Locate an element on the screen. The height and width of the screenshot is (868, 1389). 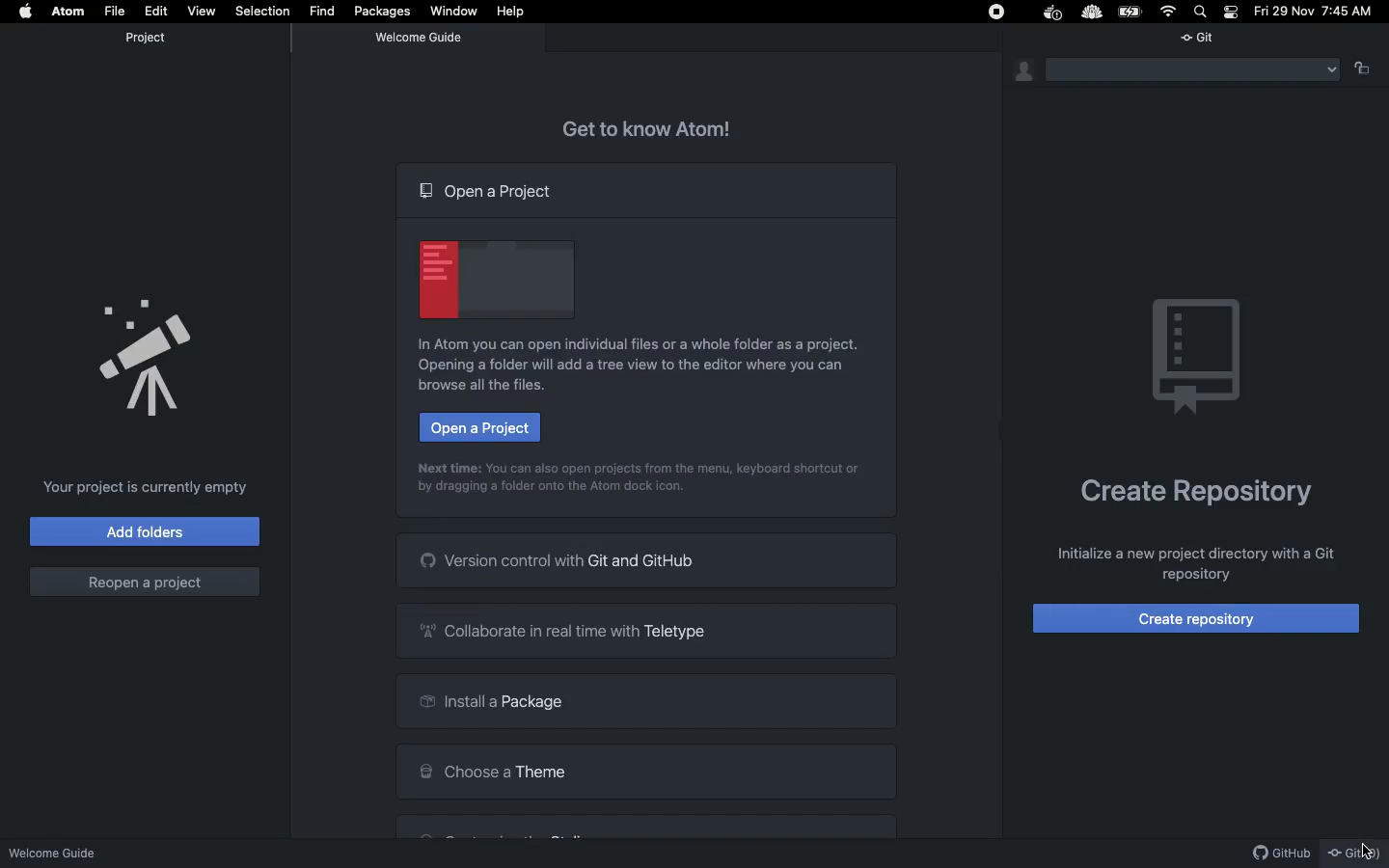
Apple logo is located at coordinates (28, 11).